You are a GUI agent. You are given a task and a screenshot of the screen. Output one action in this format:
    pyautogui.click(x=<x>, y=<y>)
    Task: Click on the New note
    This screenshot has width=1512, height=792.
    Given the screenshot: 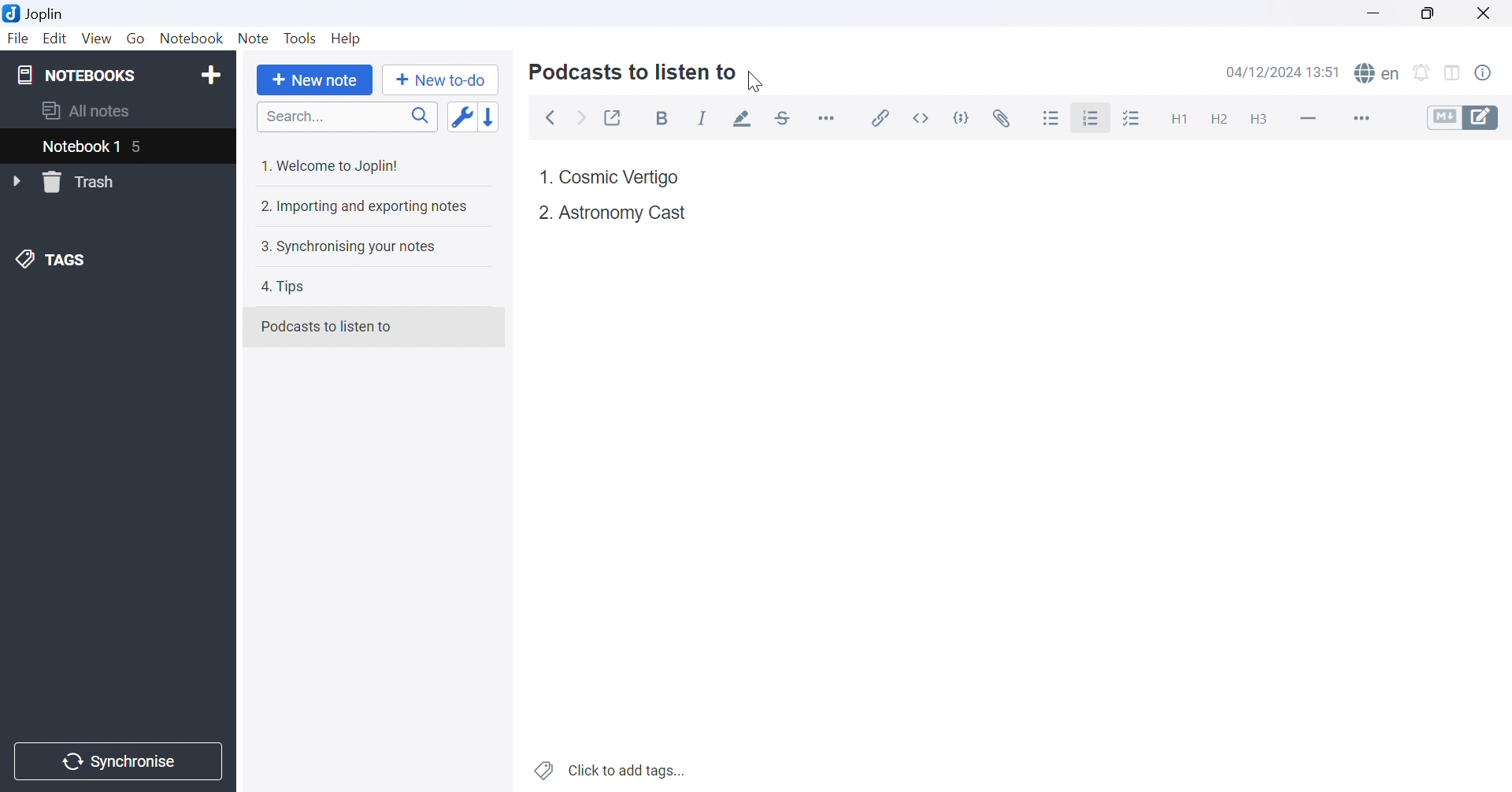 What is the action you would take?
    pyautogui.click(x=318, y=81)
    